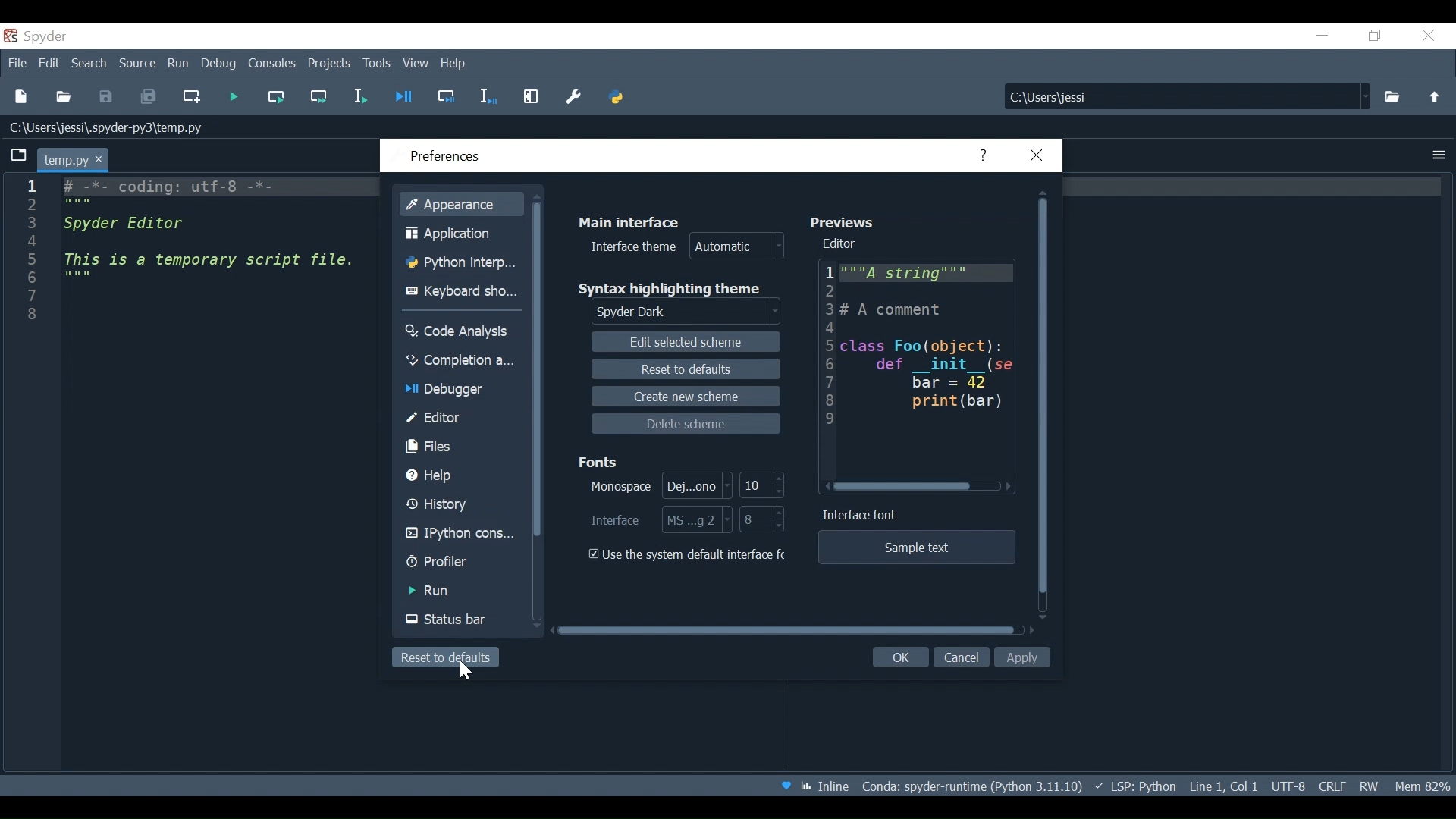 This screenshot has height=819, width=1456. Describe the element at coordinates (20, 156) in the screenshot. I see `Browse Tabs` at that location.